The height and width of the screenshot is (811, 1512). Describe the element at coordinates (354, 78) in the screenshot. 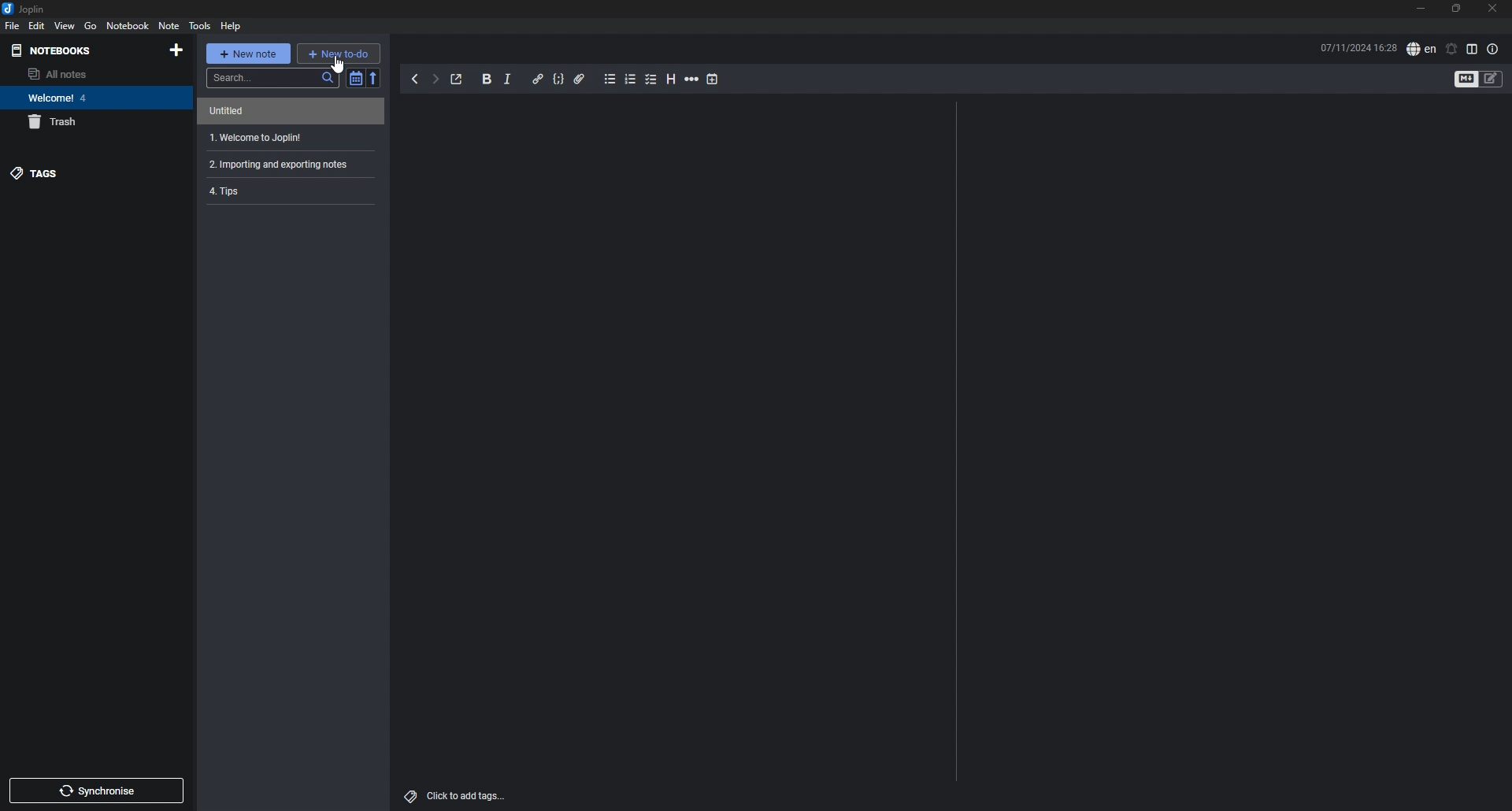

I see `toggle sort order` at that location.